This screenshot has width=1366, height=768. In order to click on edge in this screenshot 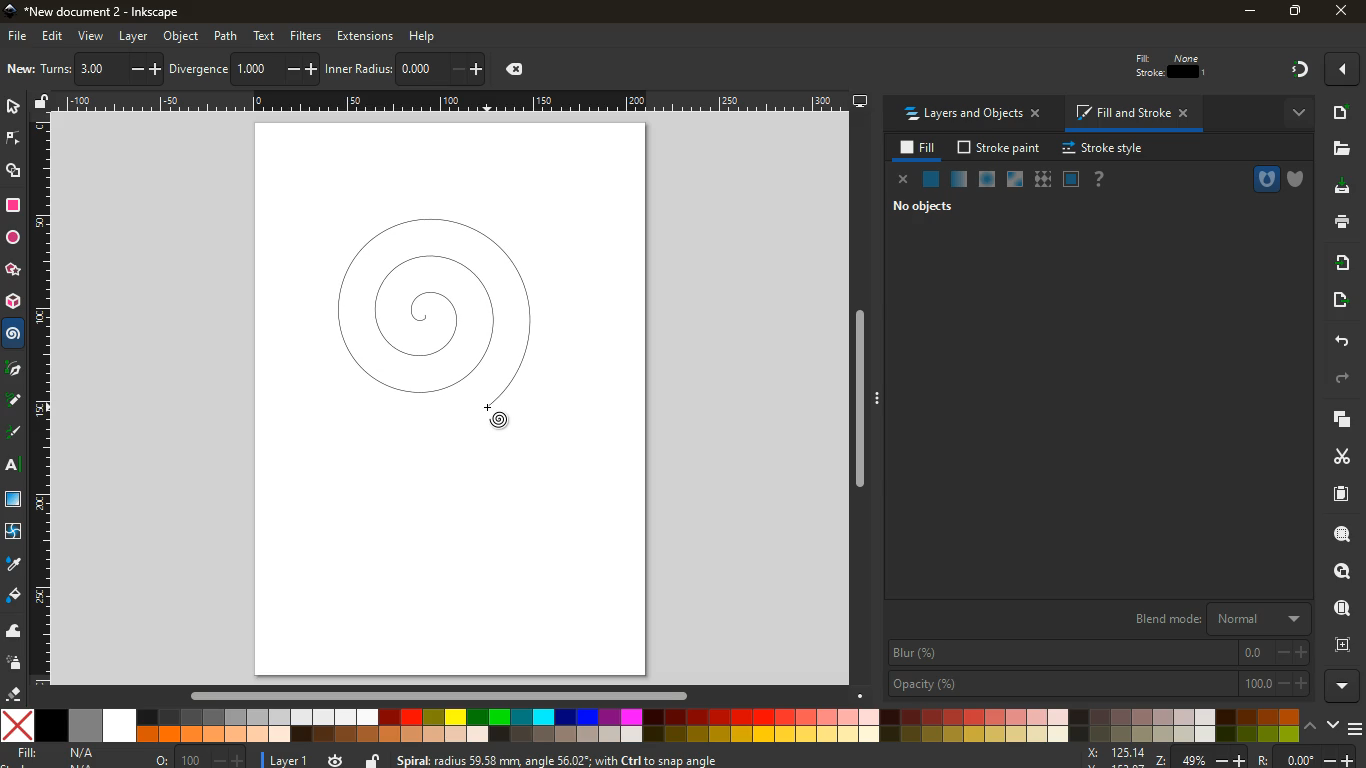, I will do `click(12, 141)`.